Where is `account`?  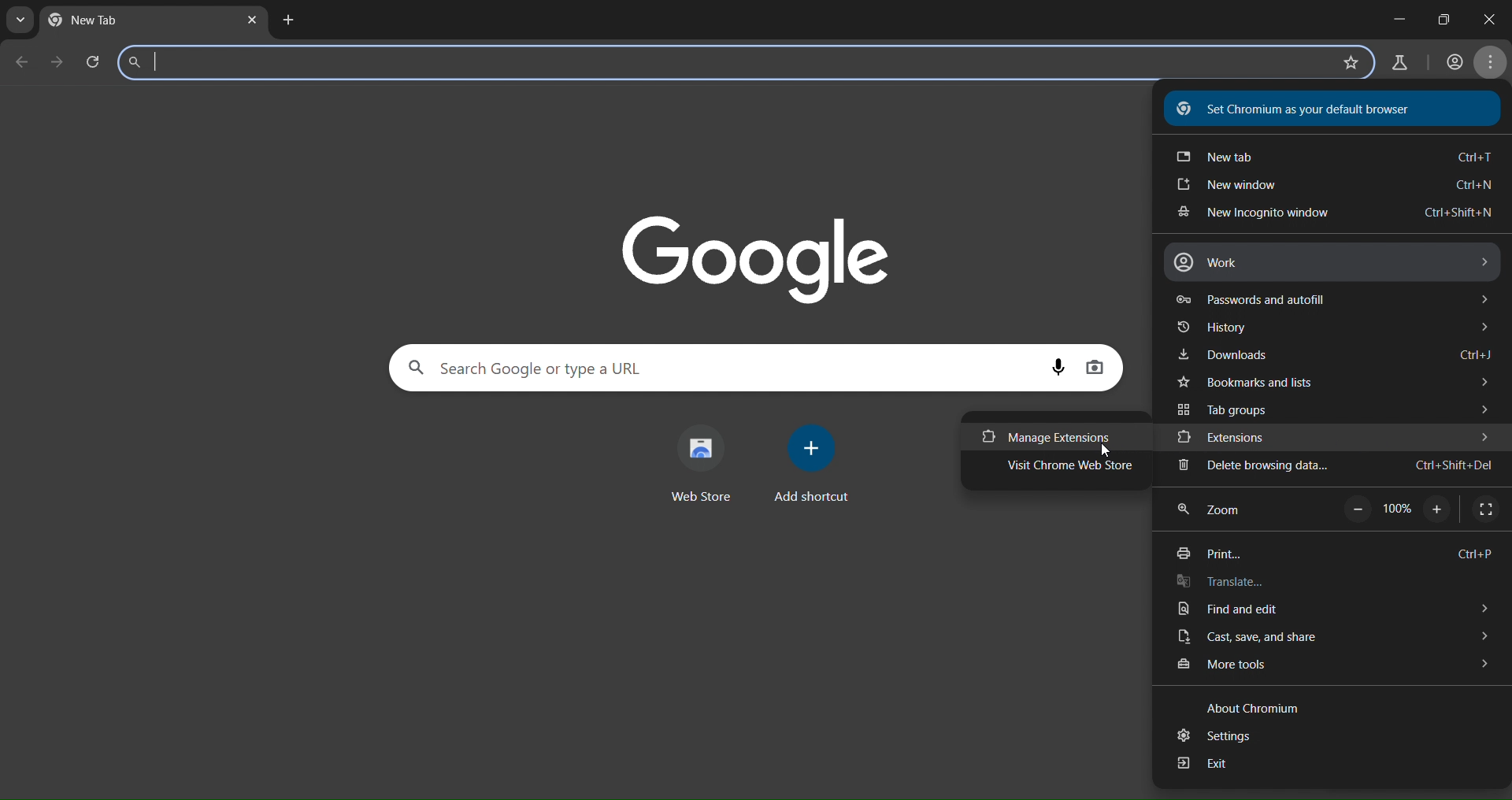 account is located at coordinates (1455, 60).